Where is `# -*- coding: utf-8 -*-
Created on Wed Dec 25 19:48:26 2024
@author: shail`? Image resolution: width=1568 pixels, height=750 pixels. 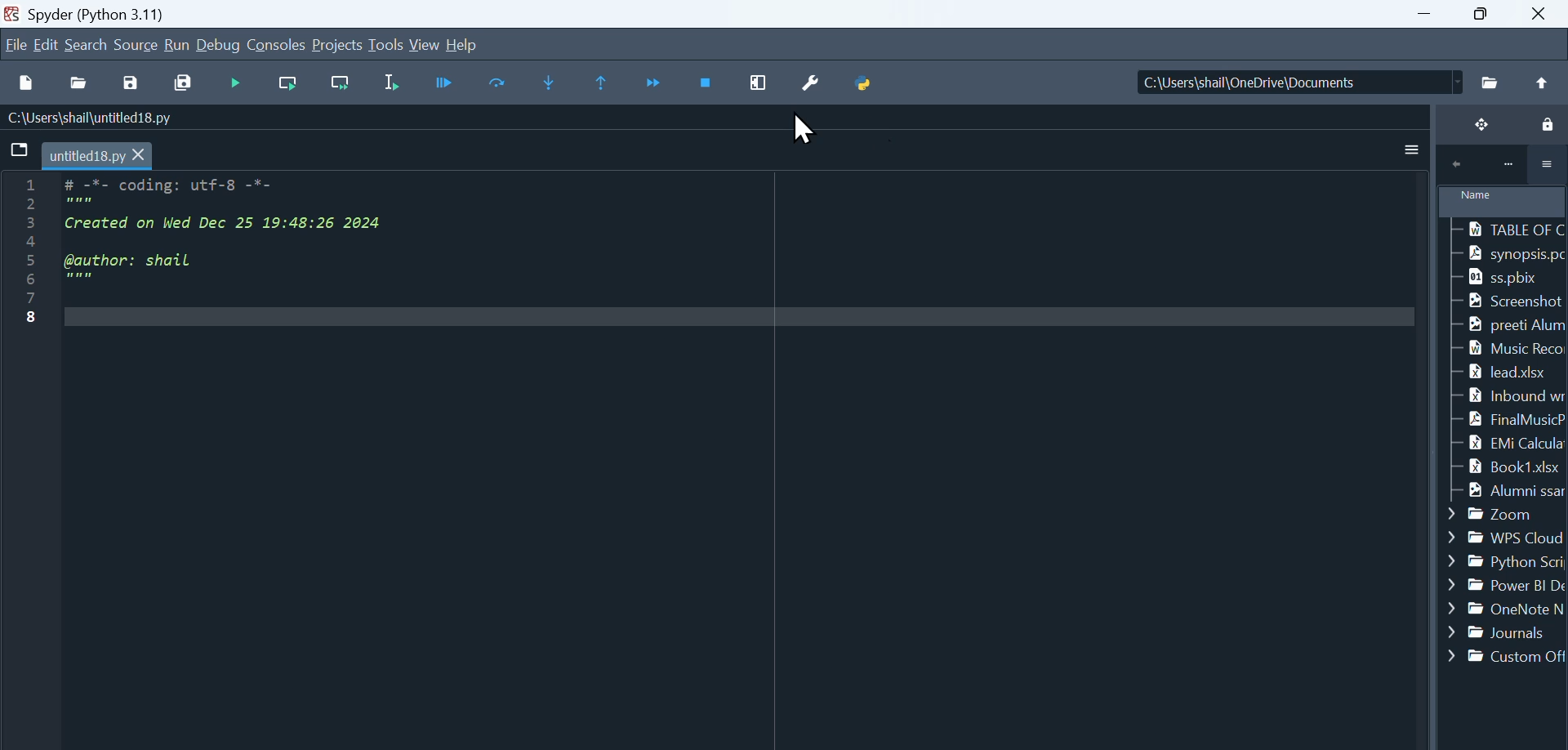 # -*- coding: utf-8 -*-
Created on Wed Dec 25 19:48:26 2024
@author: shail is located at coordinates (719, 449).